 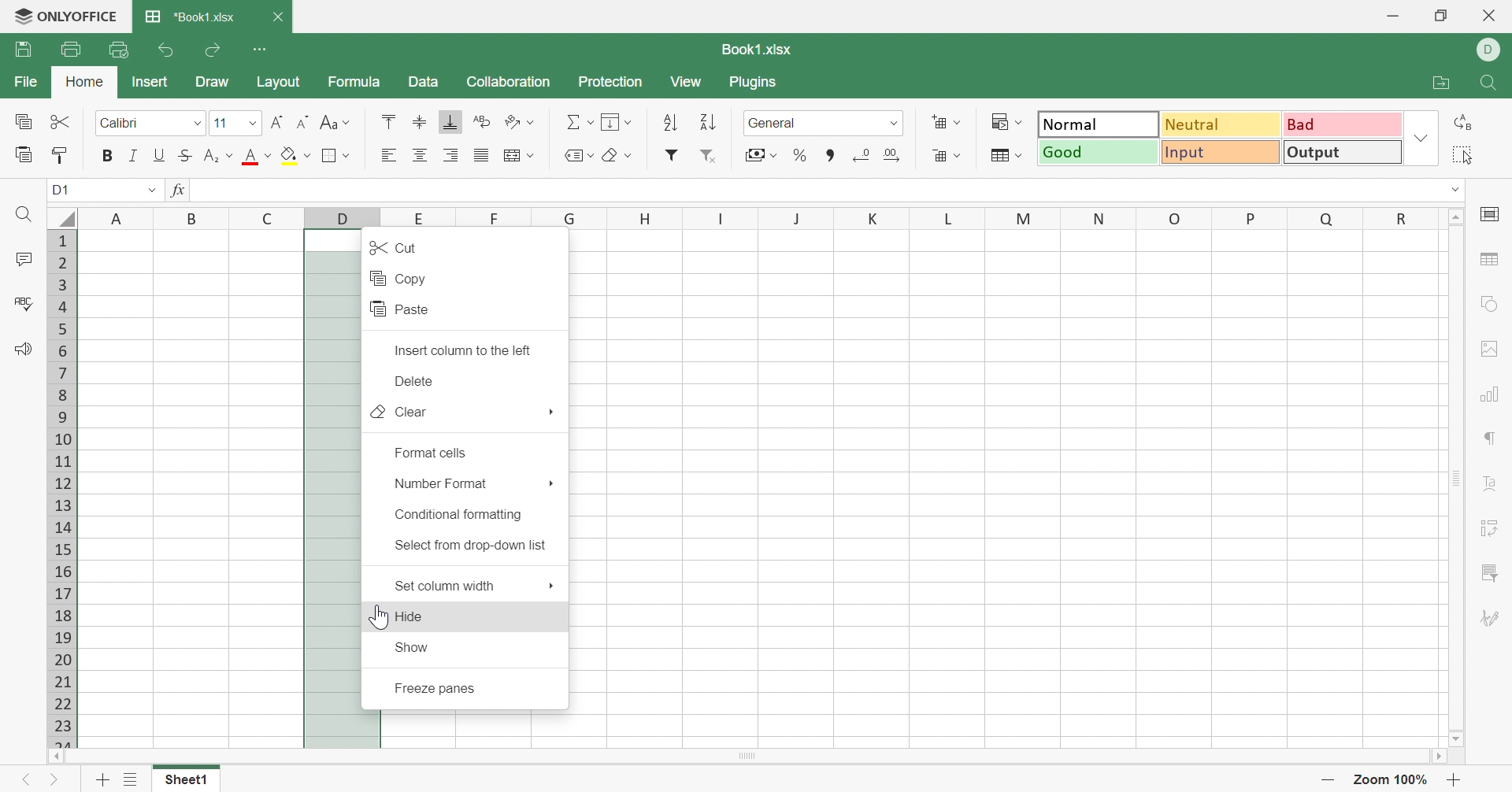 What do you see at coordinates (688, 83) in the screenshot?
I see `View` at bounding box center [688, 83].